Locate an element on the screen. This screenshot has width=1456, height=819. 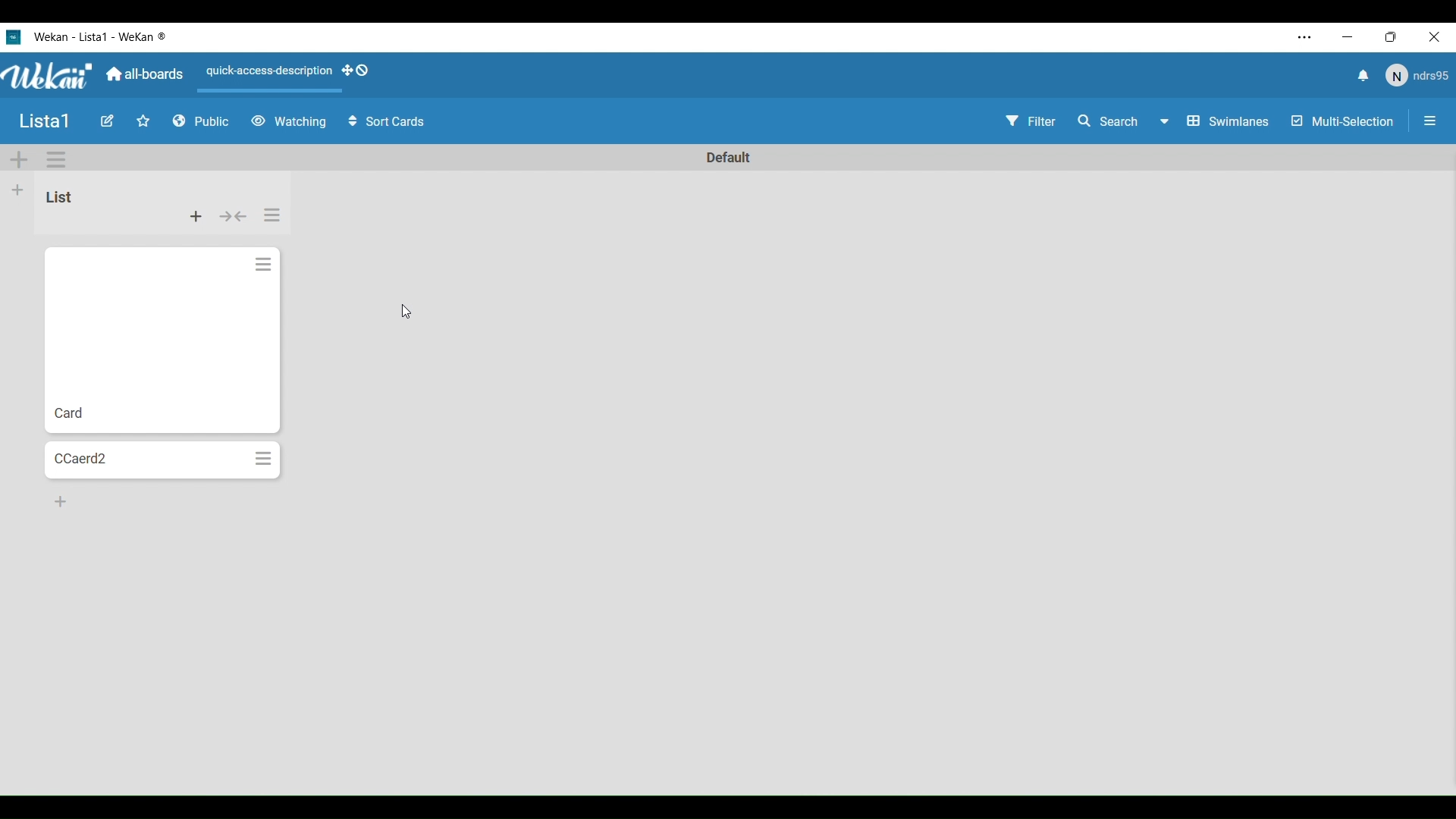
Sort Cells is located at coordinates (387, 122).